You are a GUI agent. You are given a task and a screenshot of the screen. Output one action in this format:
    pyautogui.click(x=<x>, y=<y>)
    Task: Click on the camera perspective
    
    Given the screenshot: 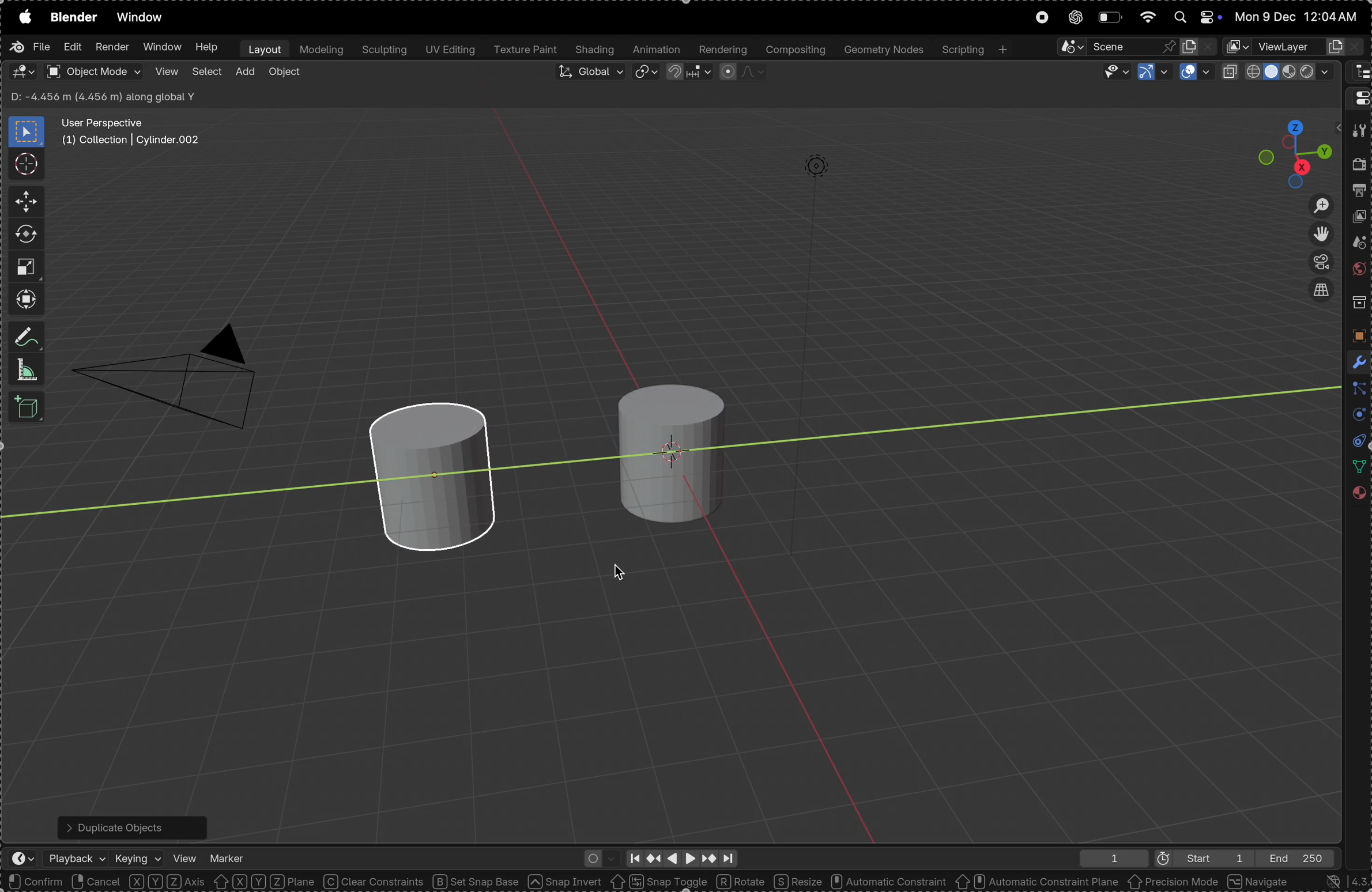 What is the action you would take?
    pyautogui.click(x=174, y=369)
    